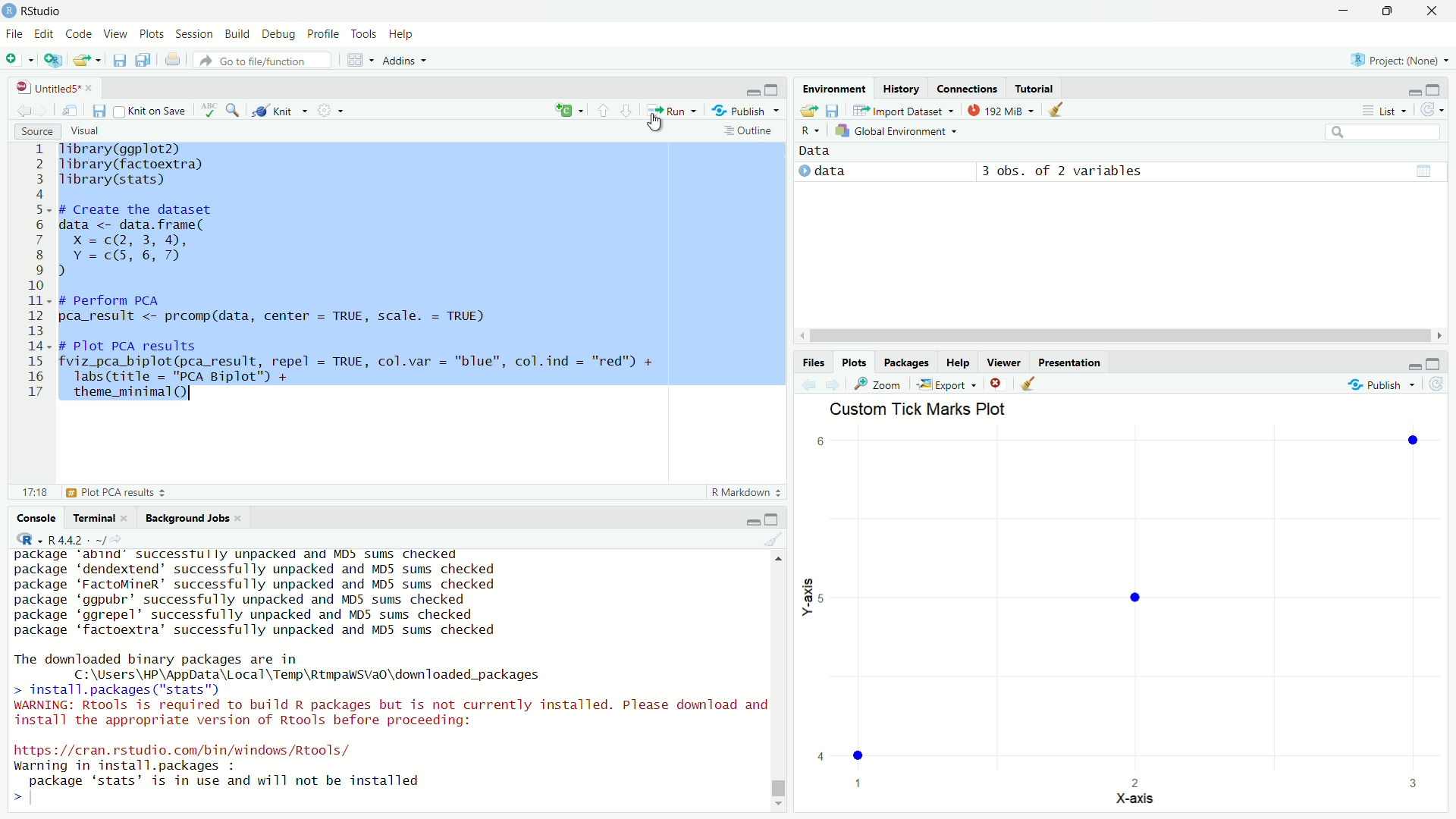 This screenshot has height=819, width=1456. Describe the element at coordinates (1385, 132) in the screenshot. I see `search` at that location.